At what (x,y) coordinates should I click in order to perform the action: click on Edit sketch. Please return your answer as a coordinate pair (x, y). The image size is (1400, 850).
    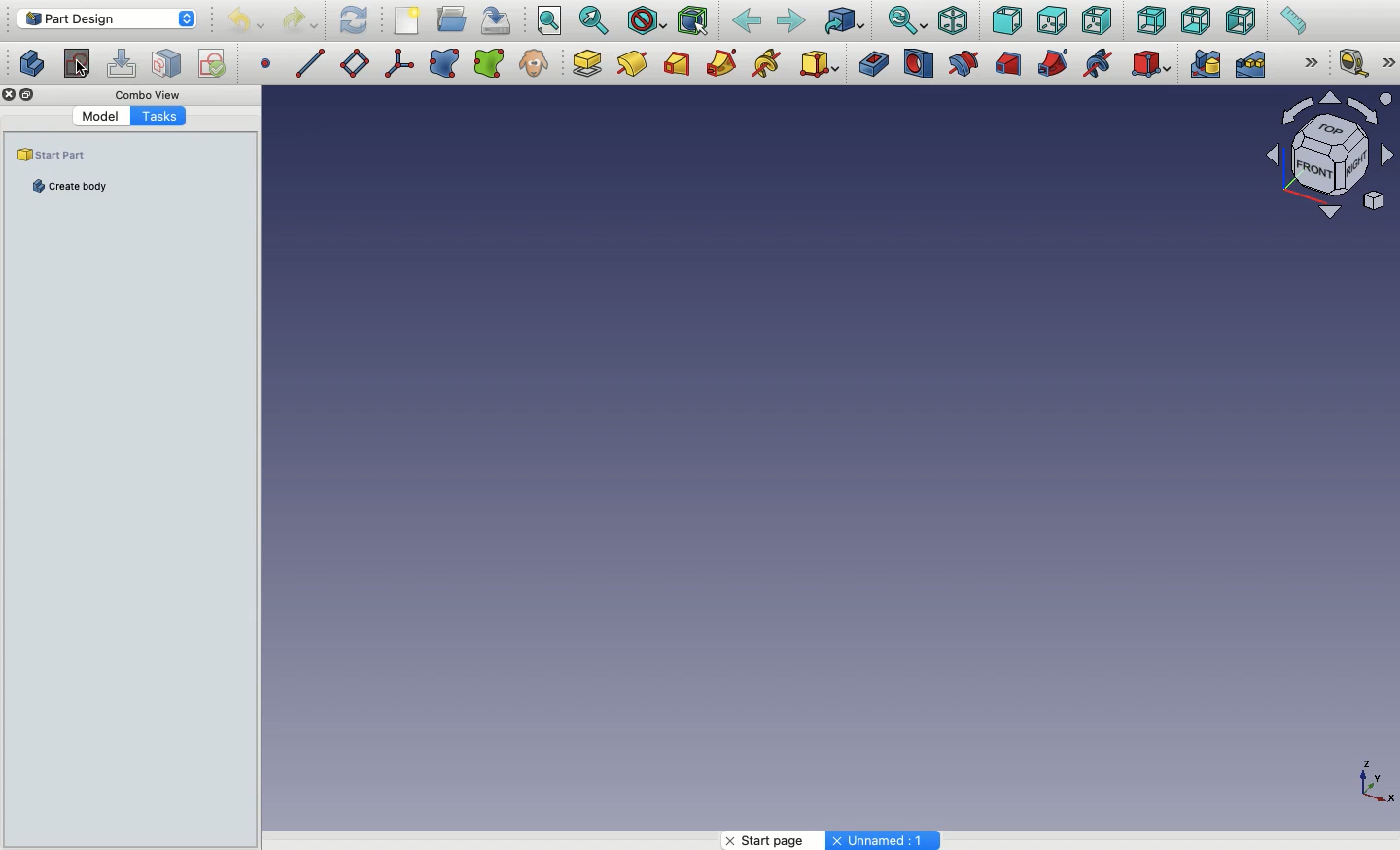
    Looking at the image, I should click on (122, 64).